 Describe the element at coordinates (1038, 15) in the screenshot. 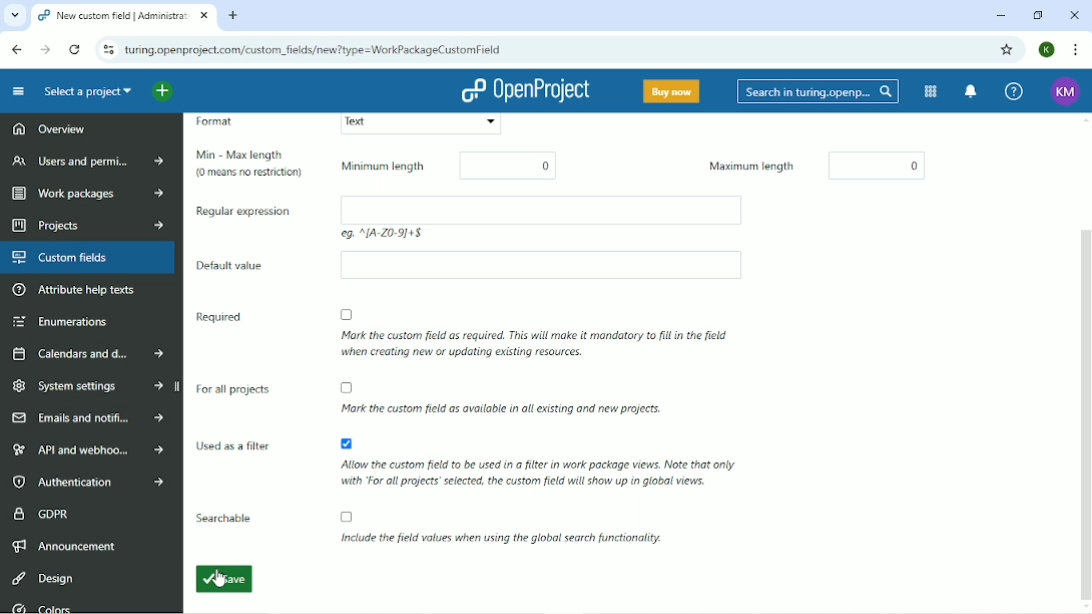

I see `Restore down` at that location.